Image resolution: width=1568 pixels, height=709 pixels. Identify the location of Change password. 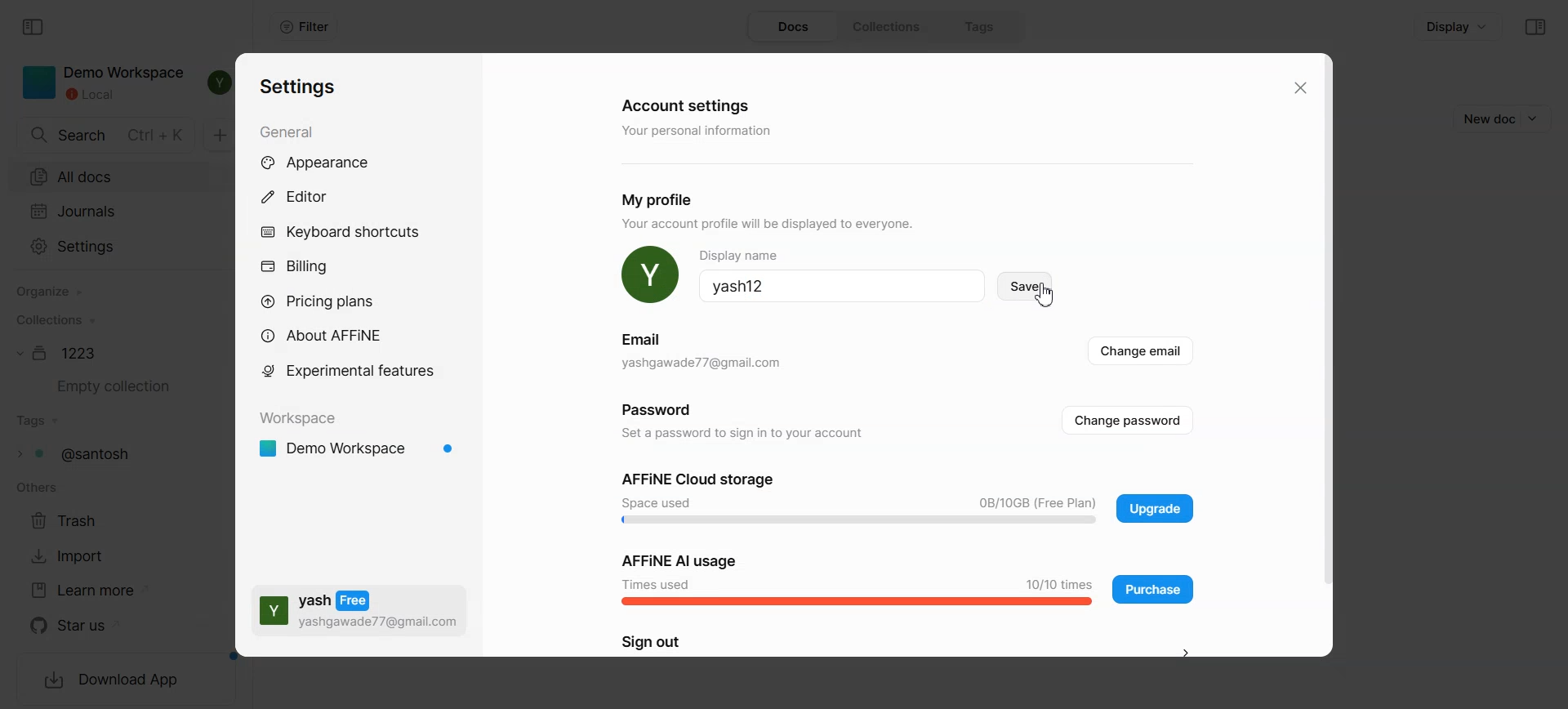
(904, 420).